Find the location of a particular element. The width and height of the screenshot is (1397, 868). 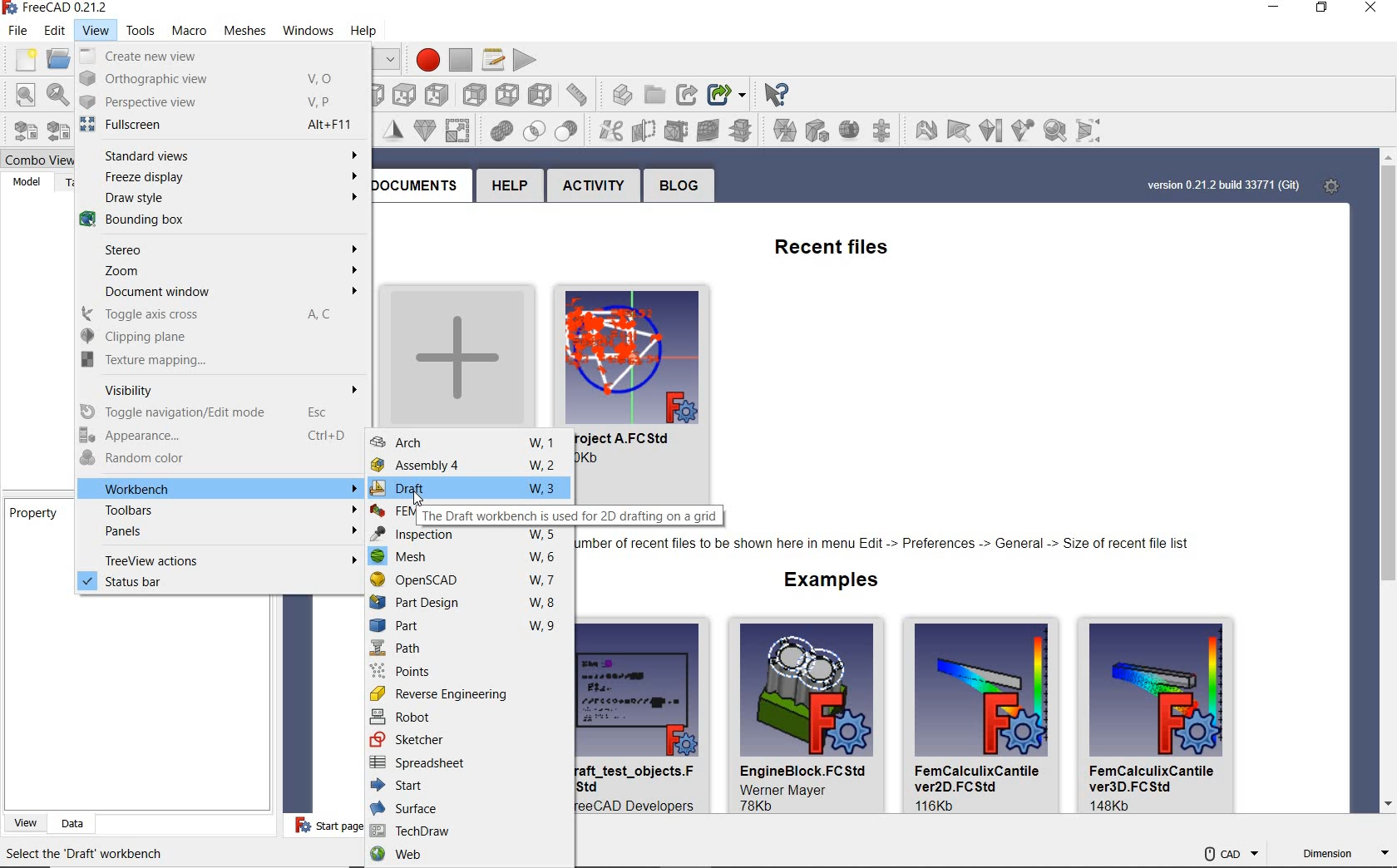

property is located at coordinates (33, 515).